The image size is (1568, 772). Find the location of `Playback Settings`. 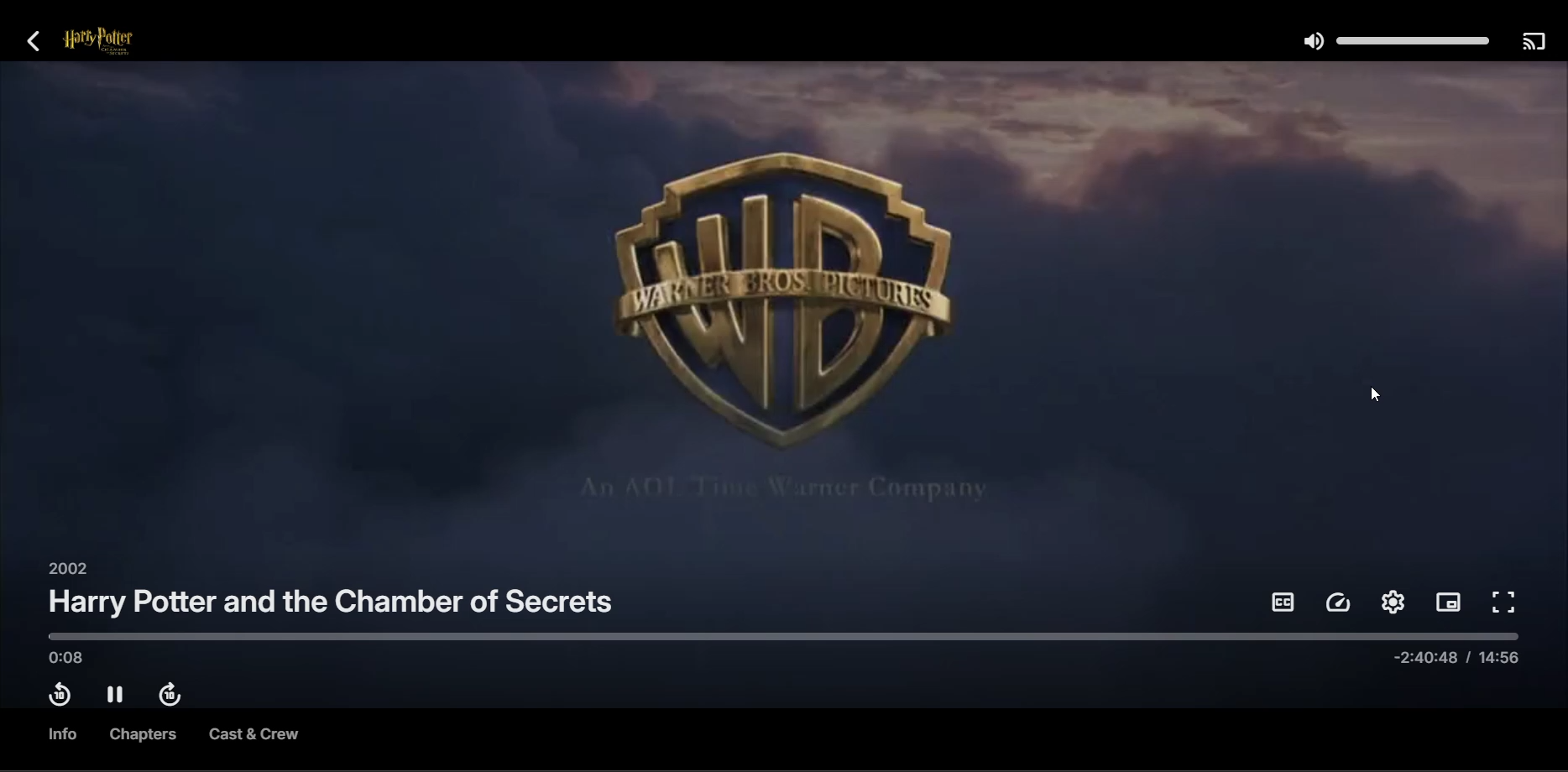

Playback Settings is located at coordinates (1340, 603).